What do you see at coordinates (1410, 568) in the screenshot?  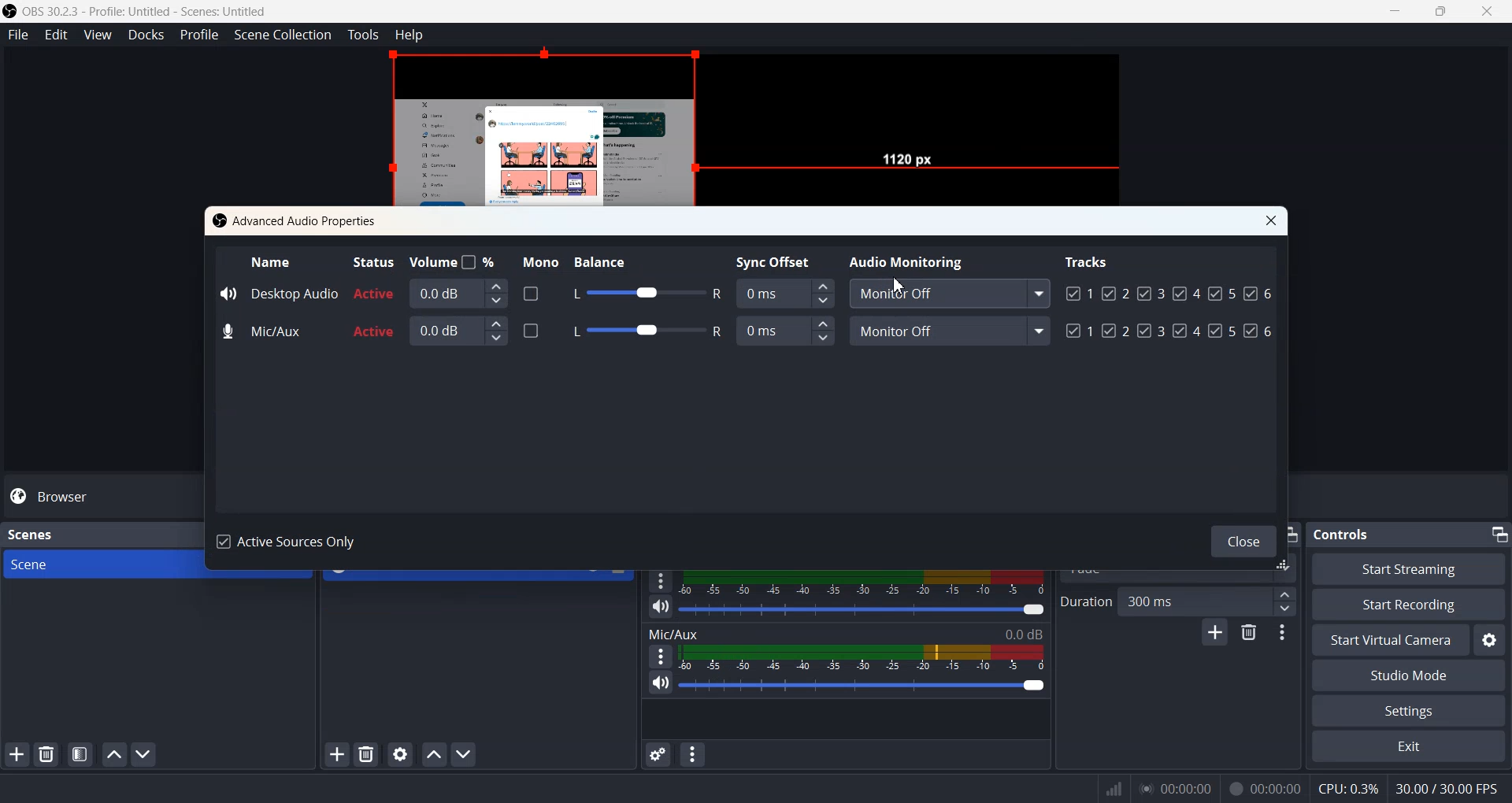 I see `Start Streaming` at bounding box center [1410, 568].